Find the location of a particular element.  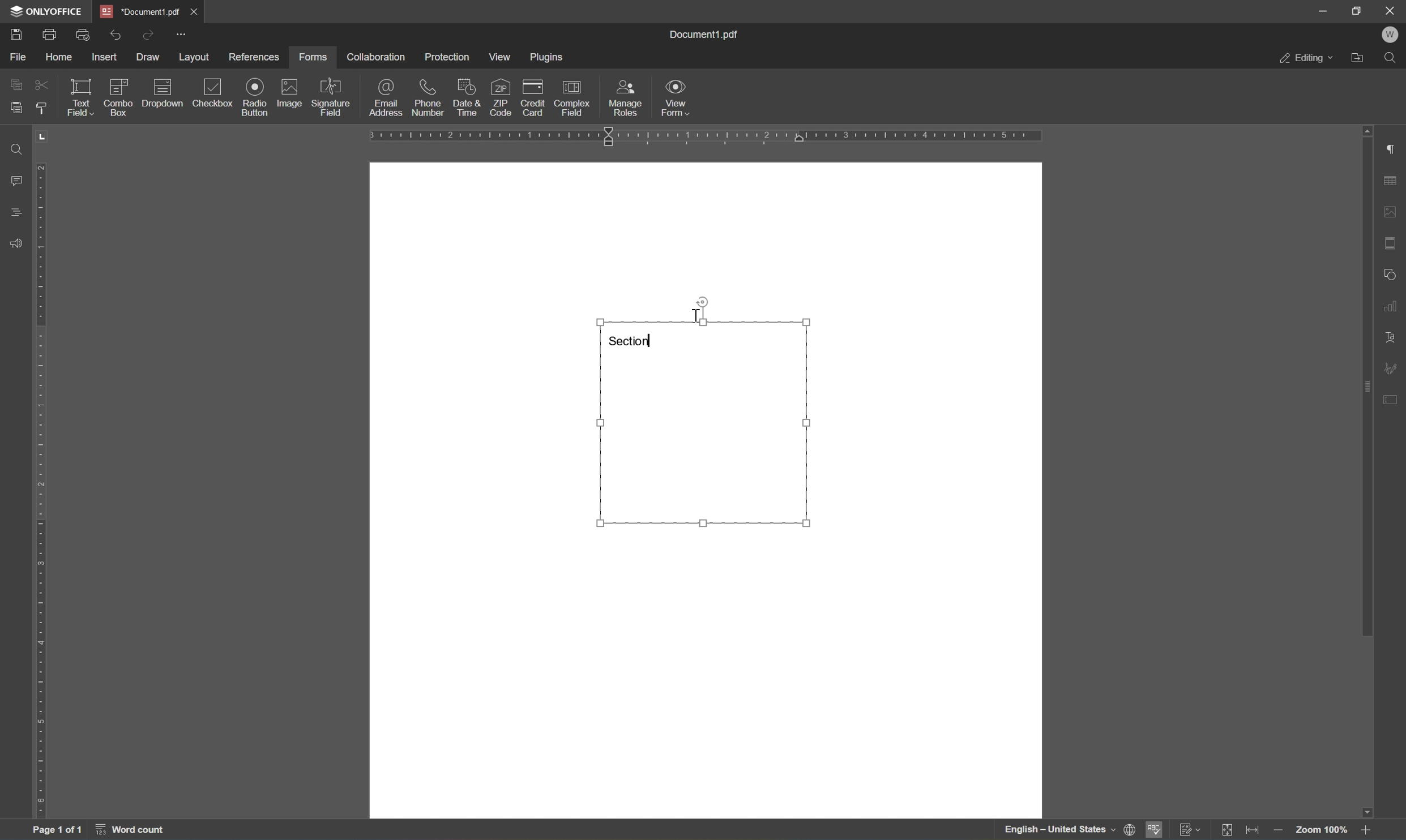

find is located at coordinates (13, 148).